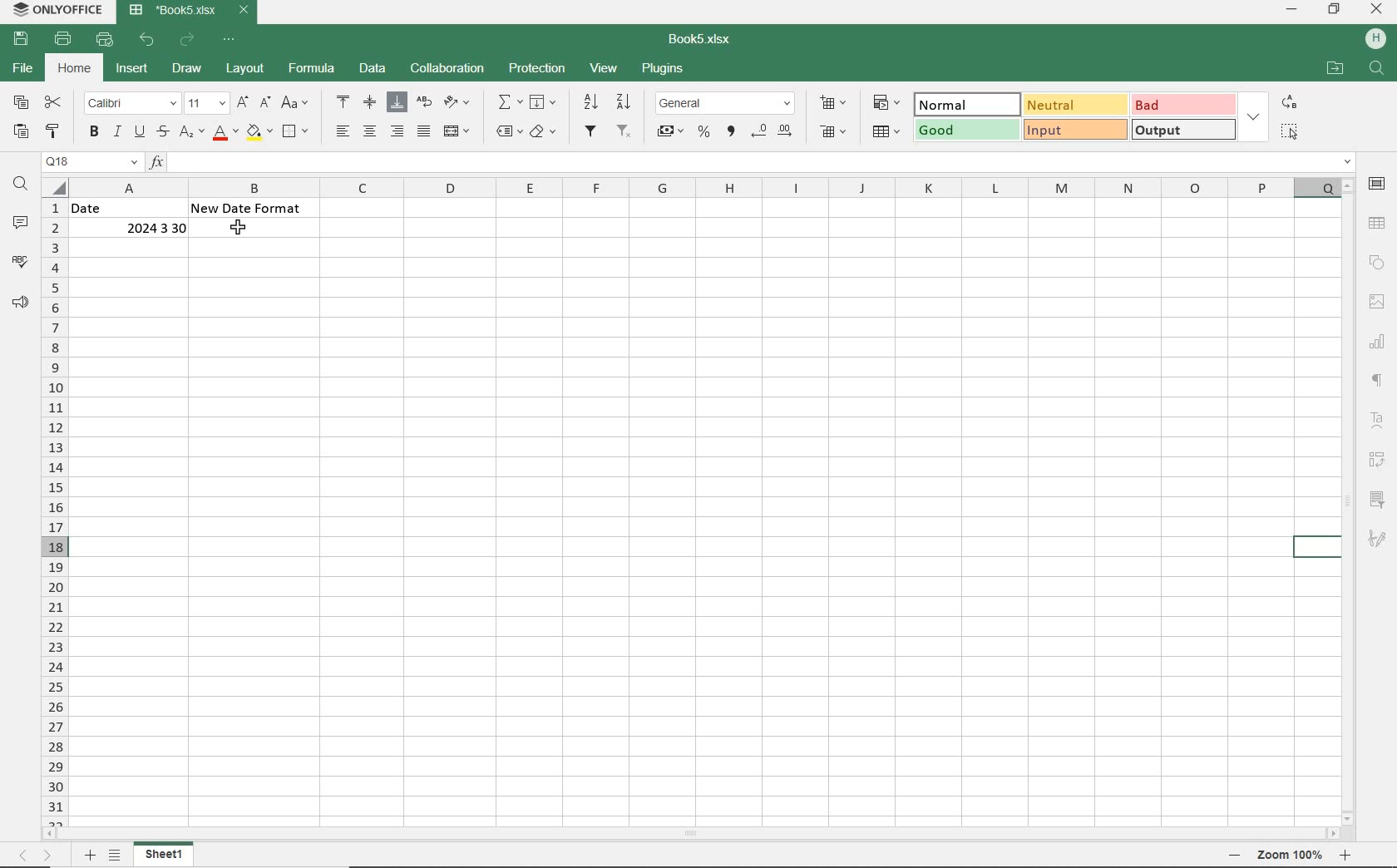 The width and height of the screenshot is (1397, 868). Describe the element at coordinates (1374, 39) in the screenshot. I see `HP` at that location.